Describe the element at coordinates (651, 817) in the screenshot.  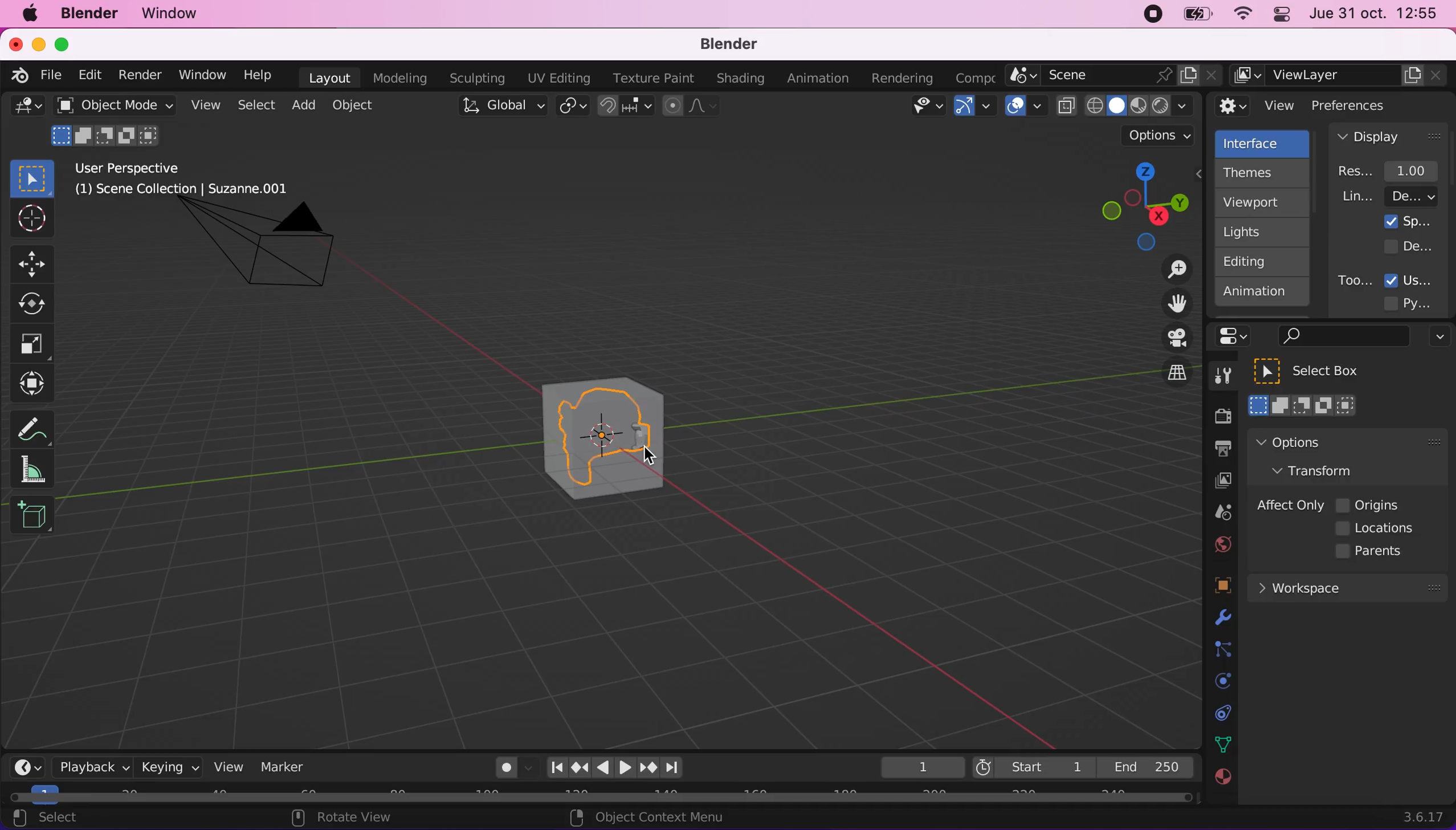
I see `object context menu` at that location.